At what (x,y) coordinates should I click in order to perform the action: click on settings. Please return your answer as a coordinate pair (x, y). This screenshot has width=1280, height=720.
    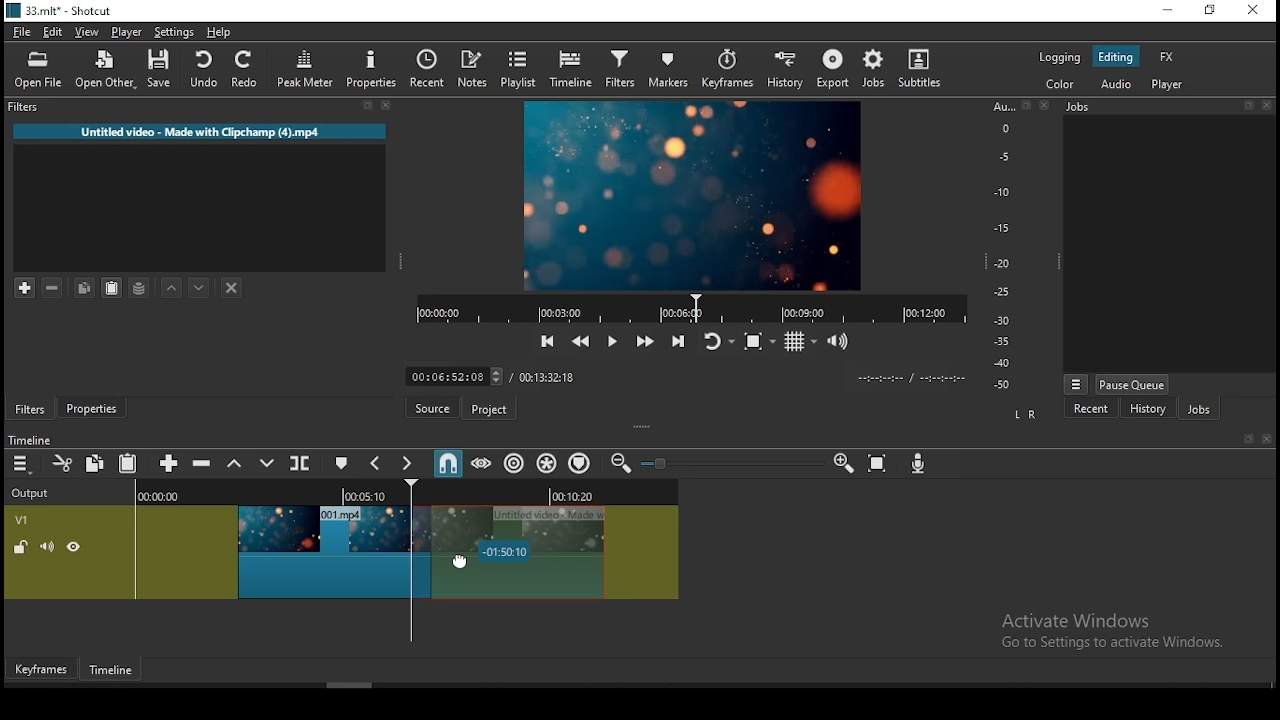
    Looking at the image, I should click on (176, 32).